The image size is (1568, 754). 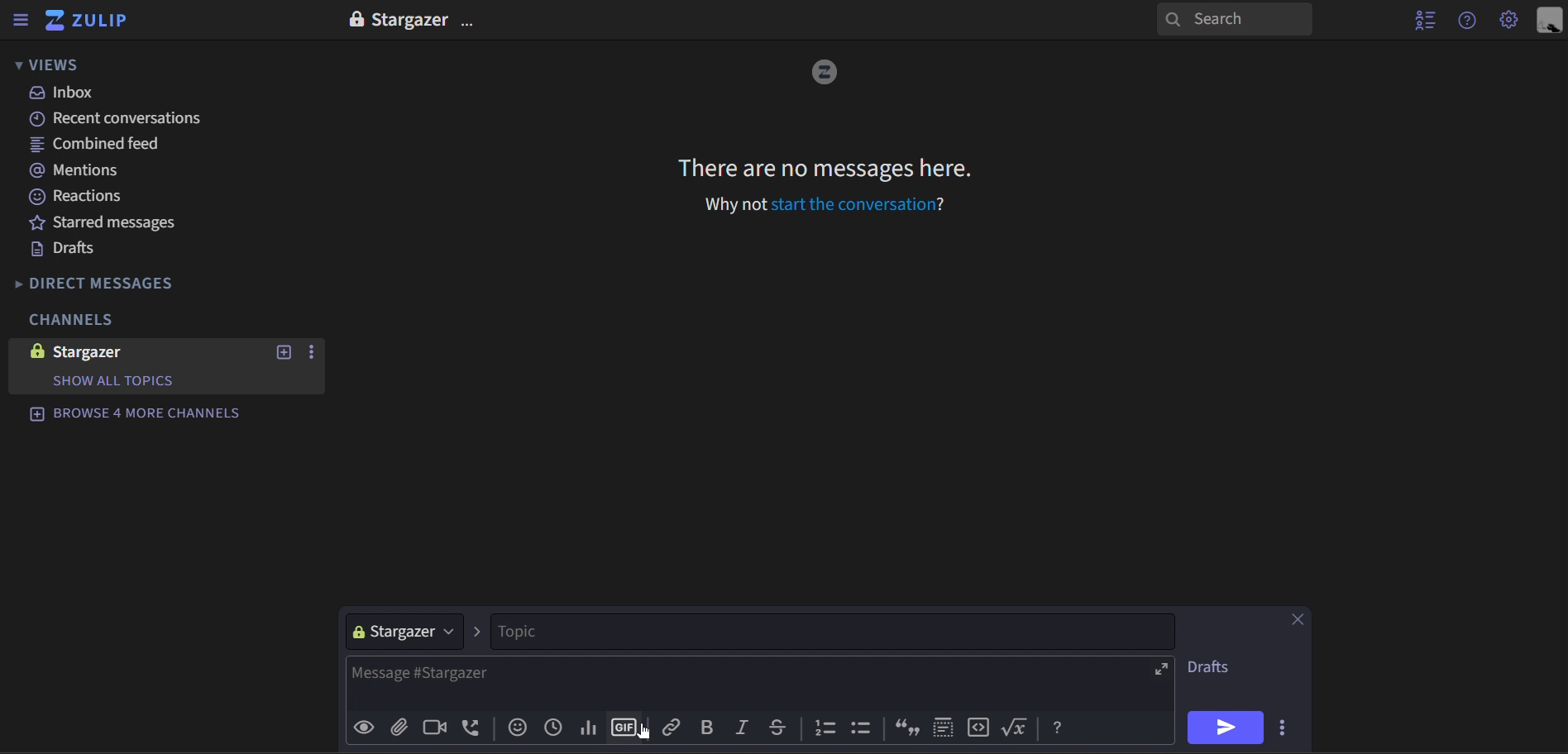 What do you see at coordinates (825, 73) in the screenshot?
I see `image` at bounding box center [825, 73].